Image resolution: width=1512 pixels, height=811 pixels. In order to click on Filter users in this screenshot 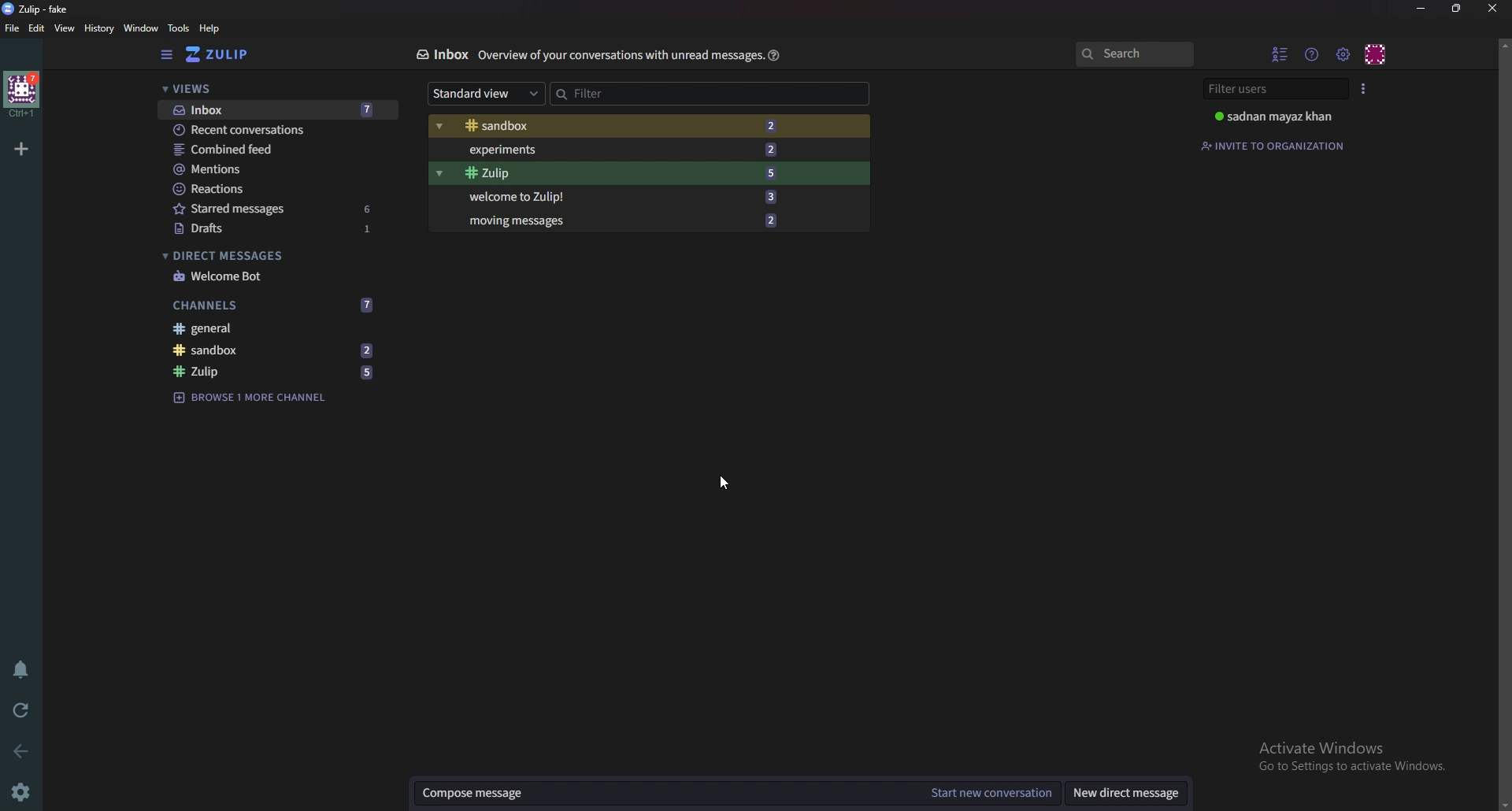, I will do `click(1277, 90)`.